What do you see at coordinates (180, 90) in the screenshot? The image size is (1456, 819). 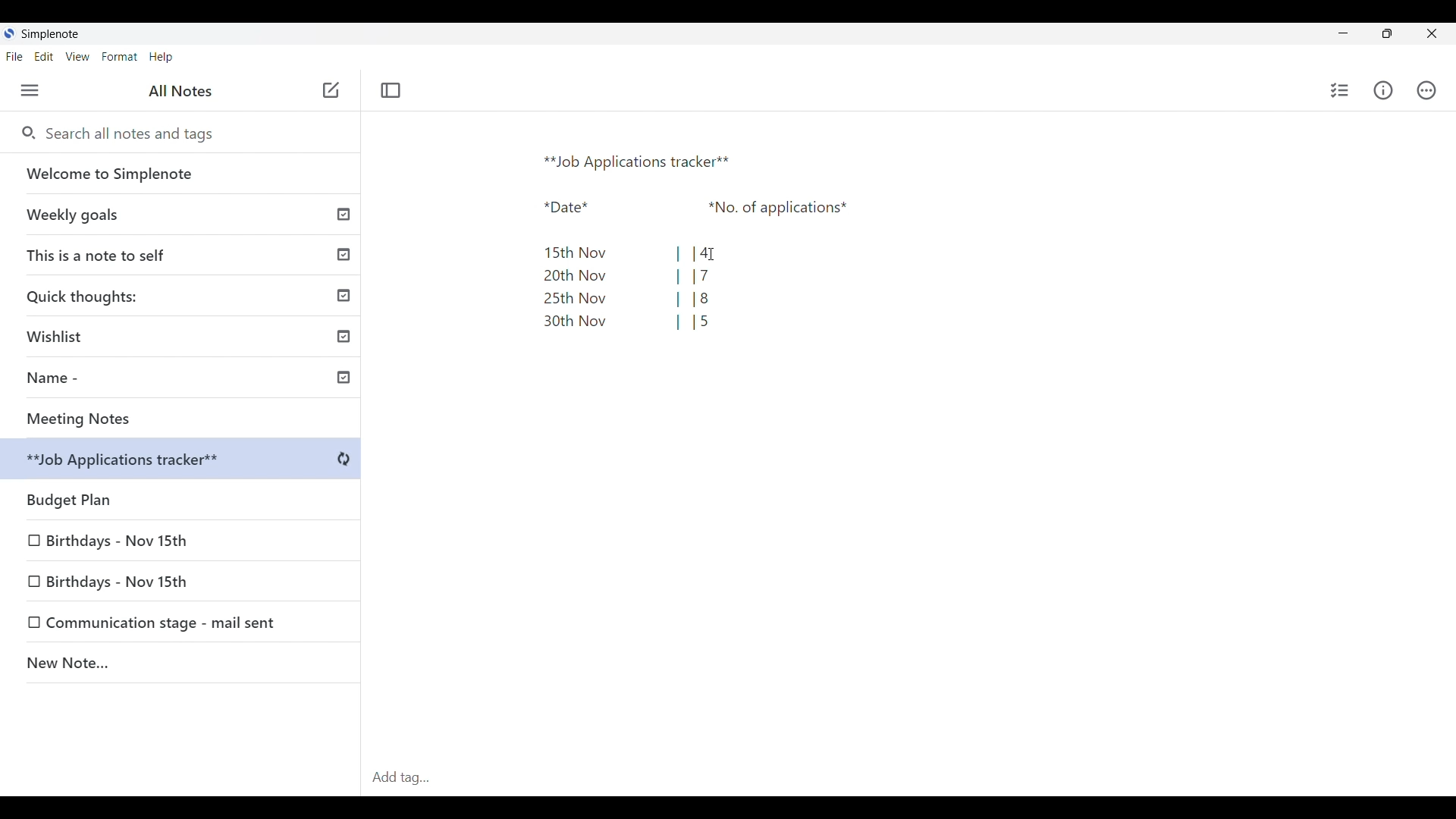 I see `All Notes` at bounding box center [180, 90].